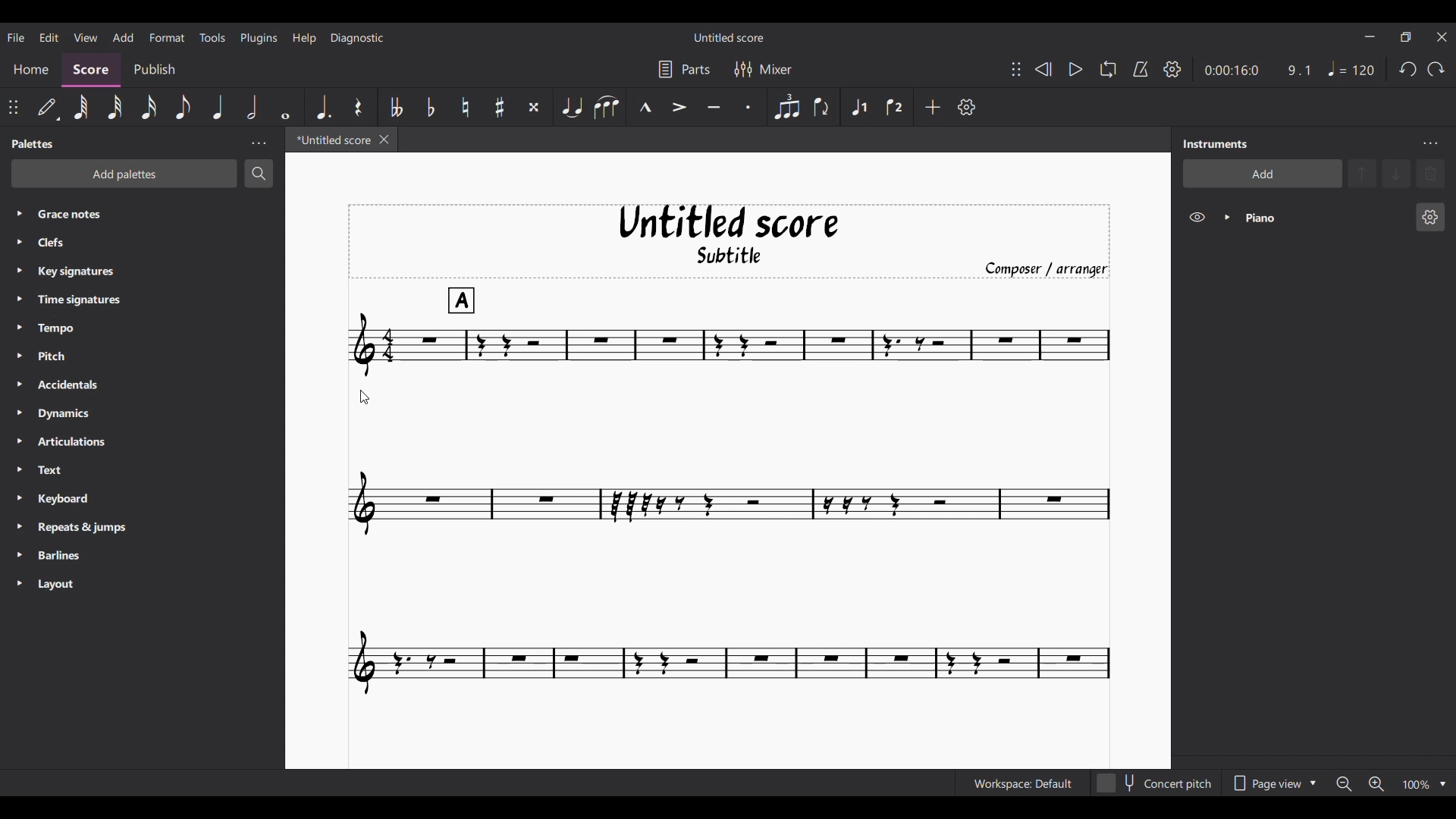  What do you see at coordinates (89, 273) in the screenshot?
I see `Key signatures.` at bounding box center [89, 273].